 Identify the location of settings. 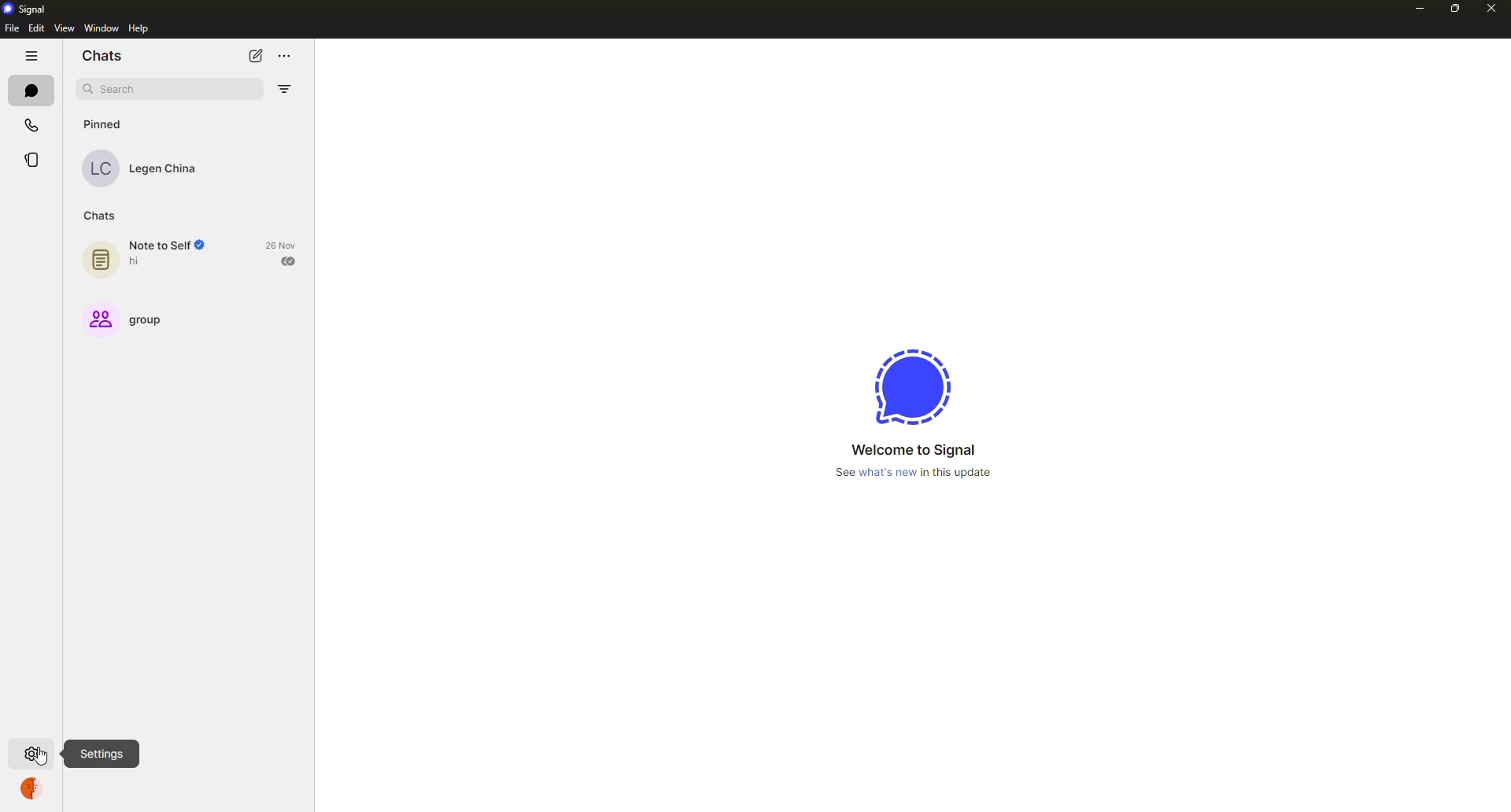
(102, 755).